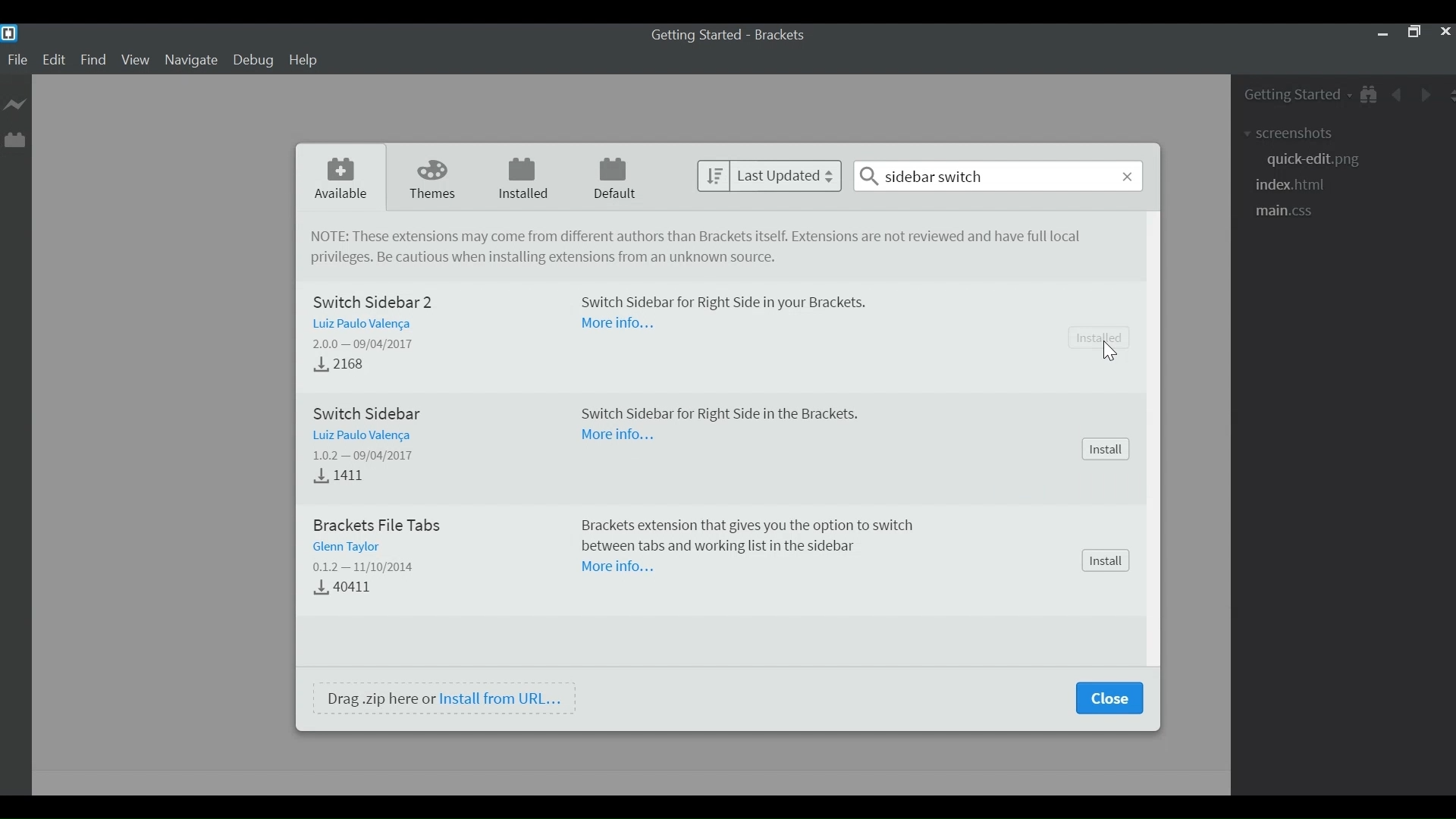 The image size is (1456, 819). What do you see at coordinates (1444, 33) in the screenshot?
I see `Close` at bounding box center [1444, 33].